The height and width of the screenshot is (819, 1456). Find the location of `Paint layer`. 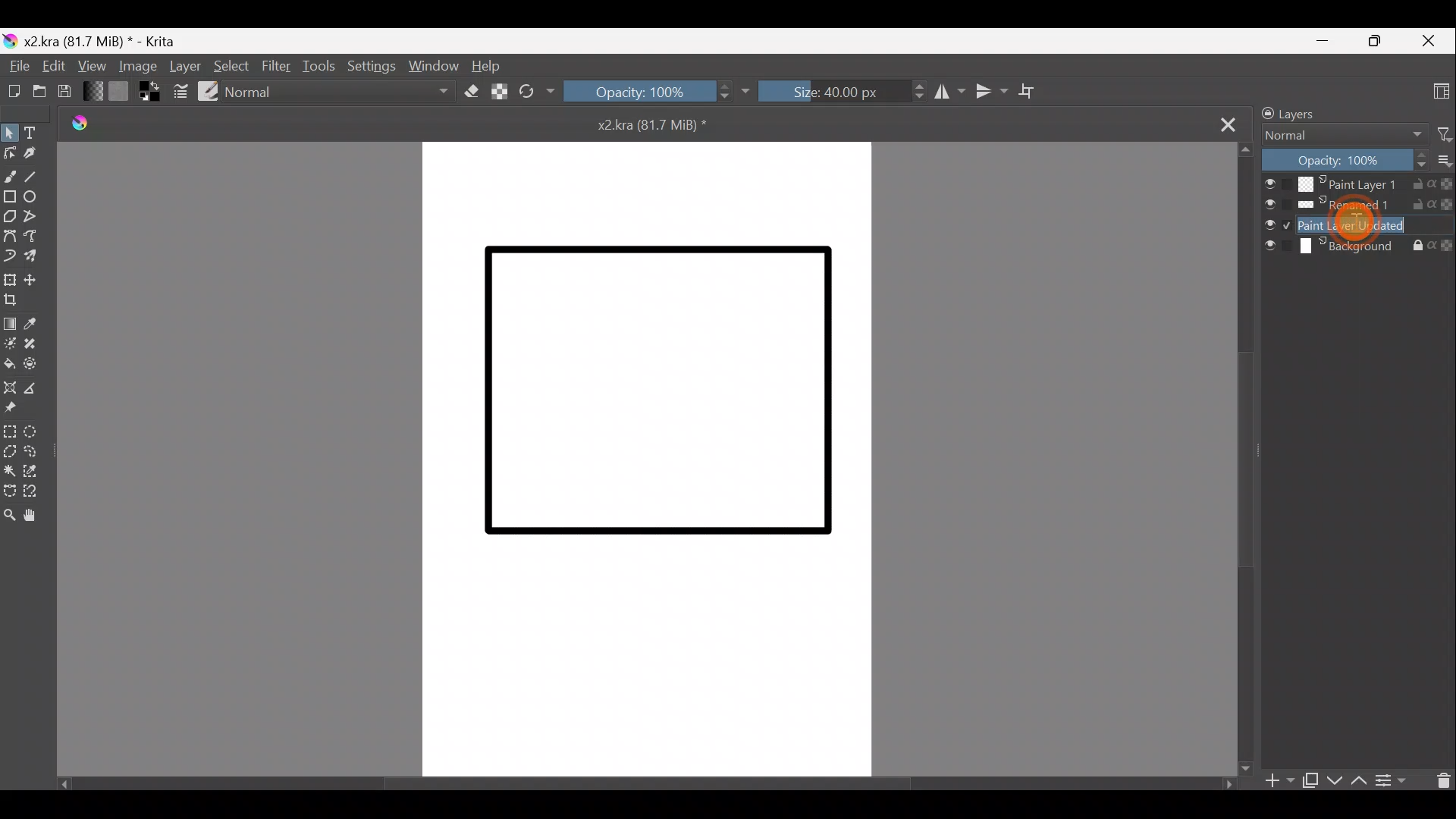

Paint layer is located at coordinates (1359, 224).